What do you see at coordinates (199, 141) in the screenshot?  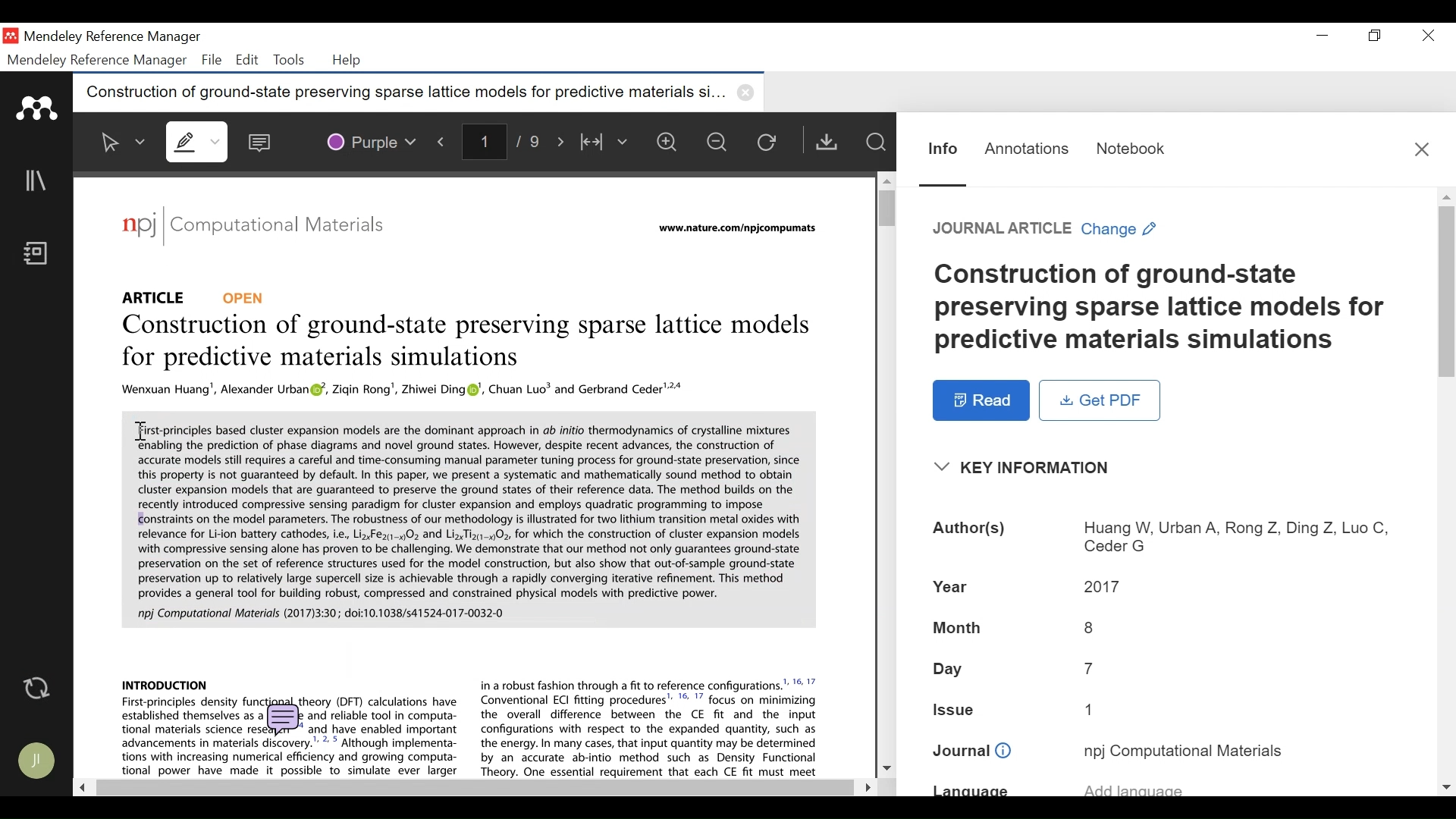 I see `Highlights` at bounding box center [199, 141].